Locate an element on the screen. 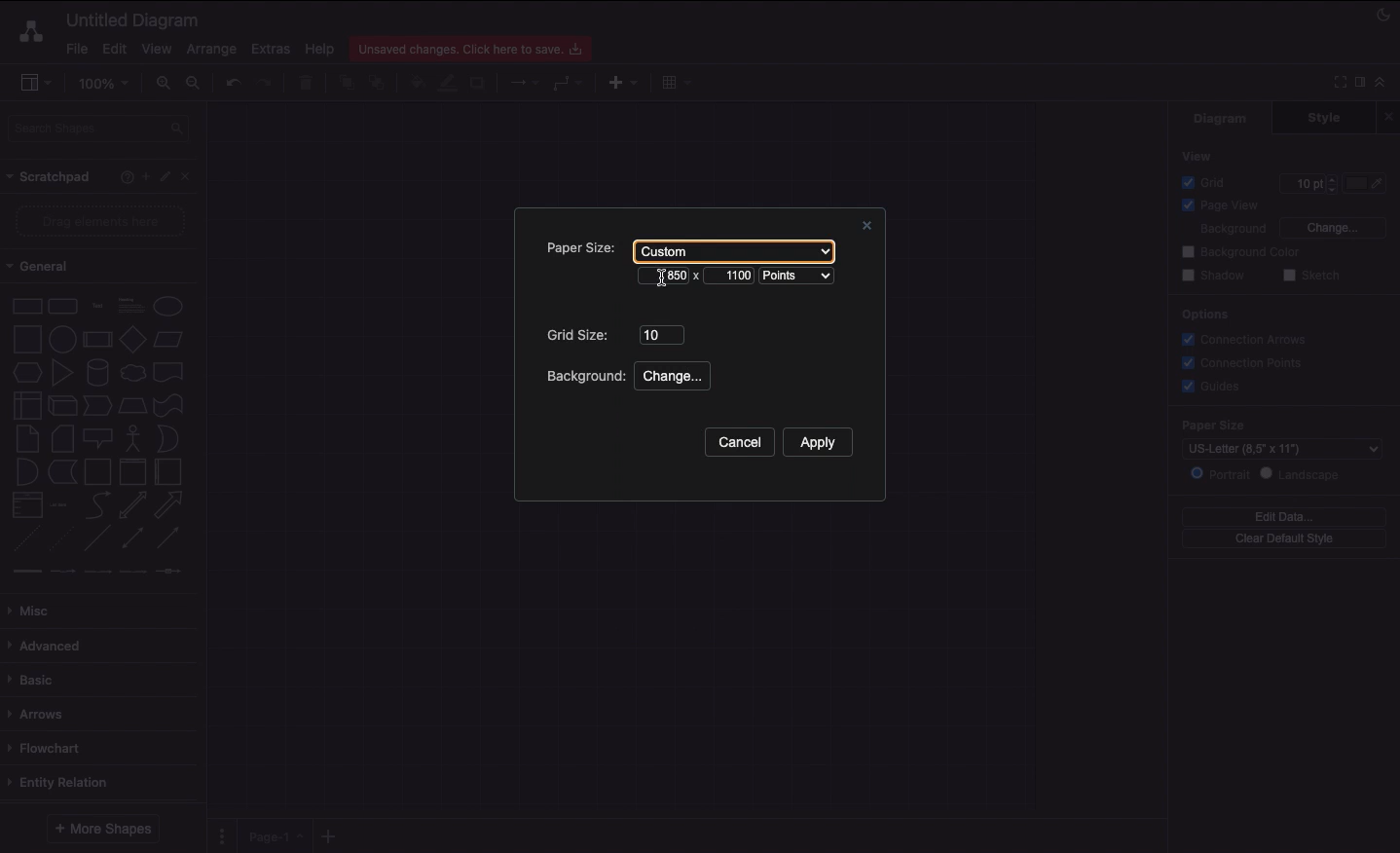 Image resolution: width=1400 pixels, height=853 pixels. Page view is located at coordinates (1217, 206).